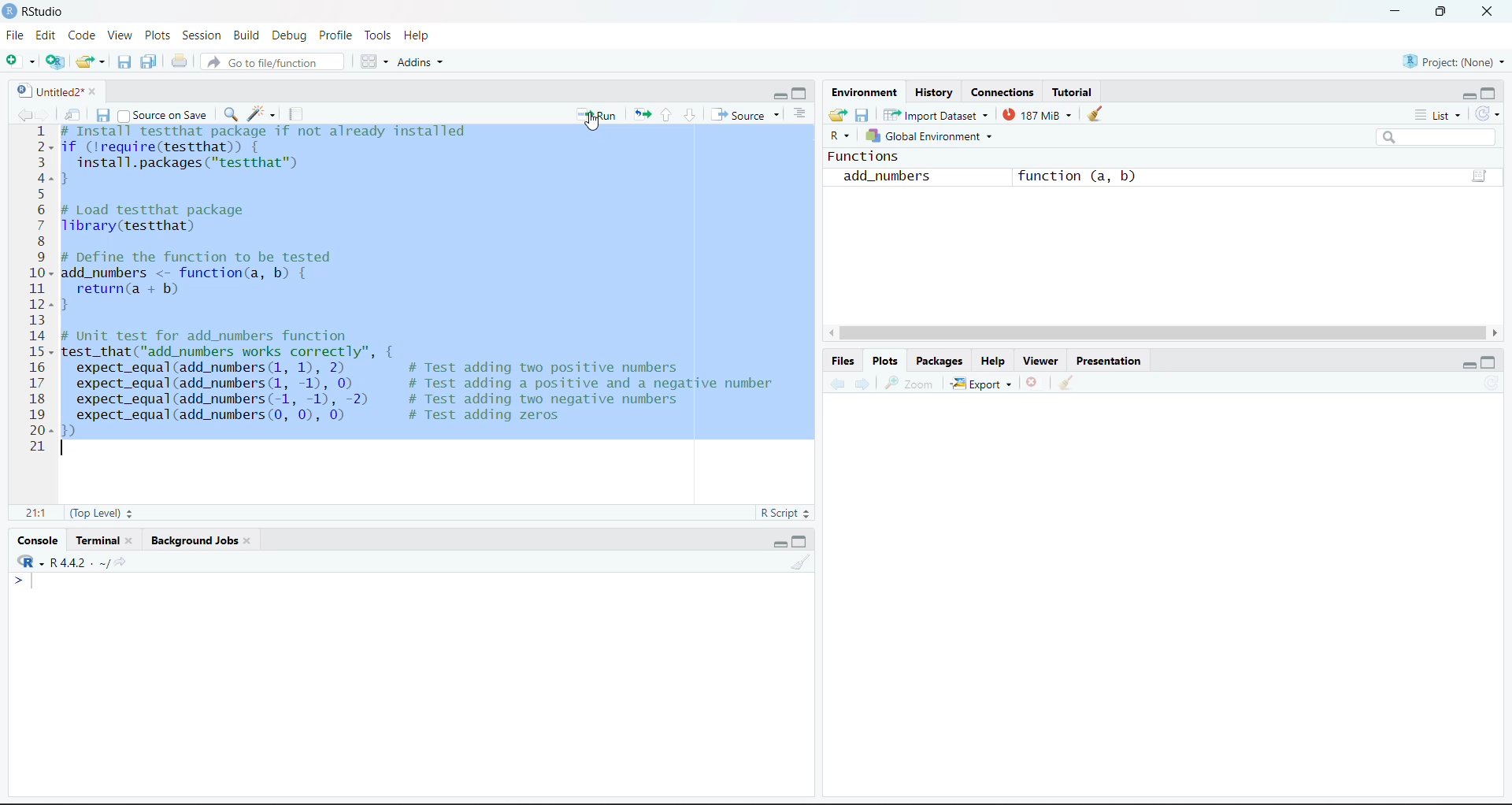  What do you see at coordinates (43, 113) in the screenshot?
I see `next` at bounding box center [43, 113].